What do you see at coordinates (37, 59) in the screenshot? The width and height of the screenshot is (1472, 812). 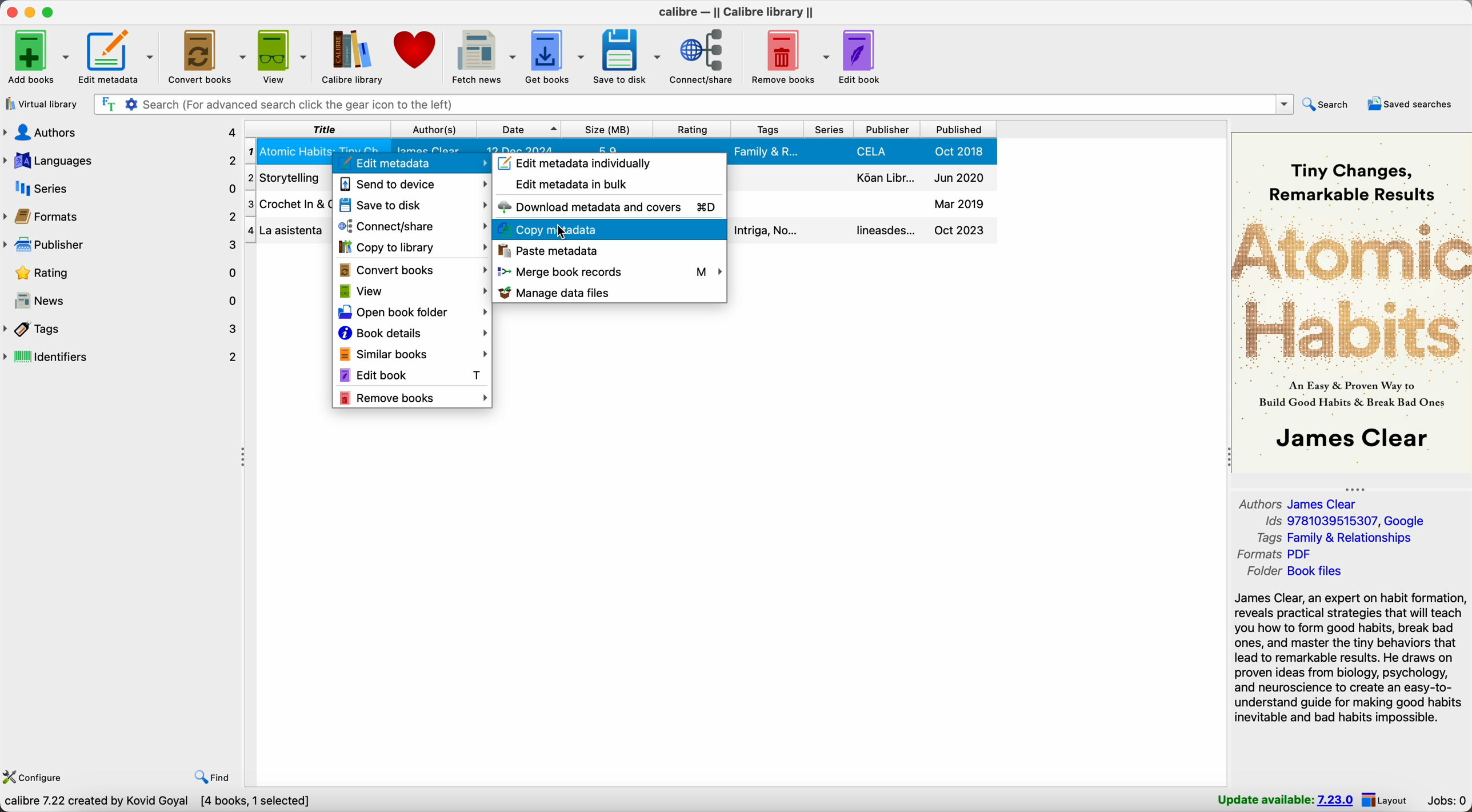 I see `add books` at bounding box center [37, 59].